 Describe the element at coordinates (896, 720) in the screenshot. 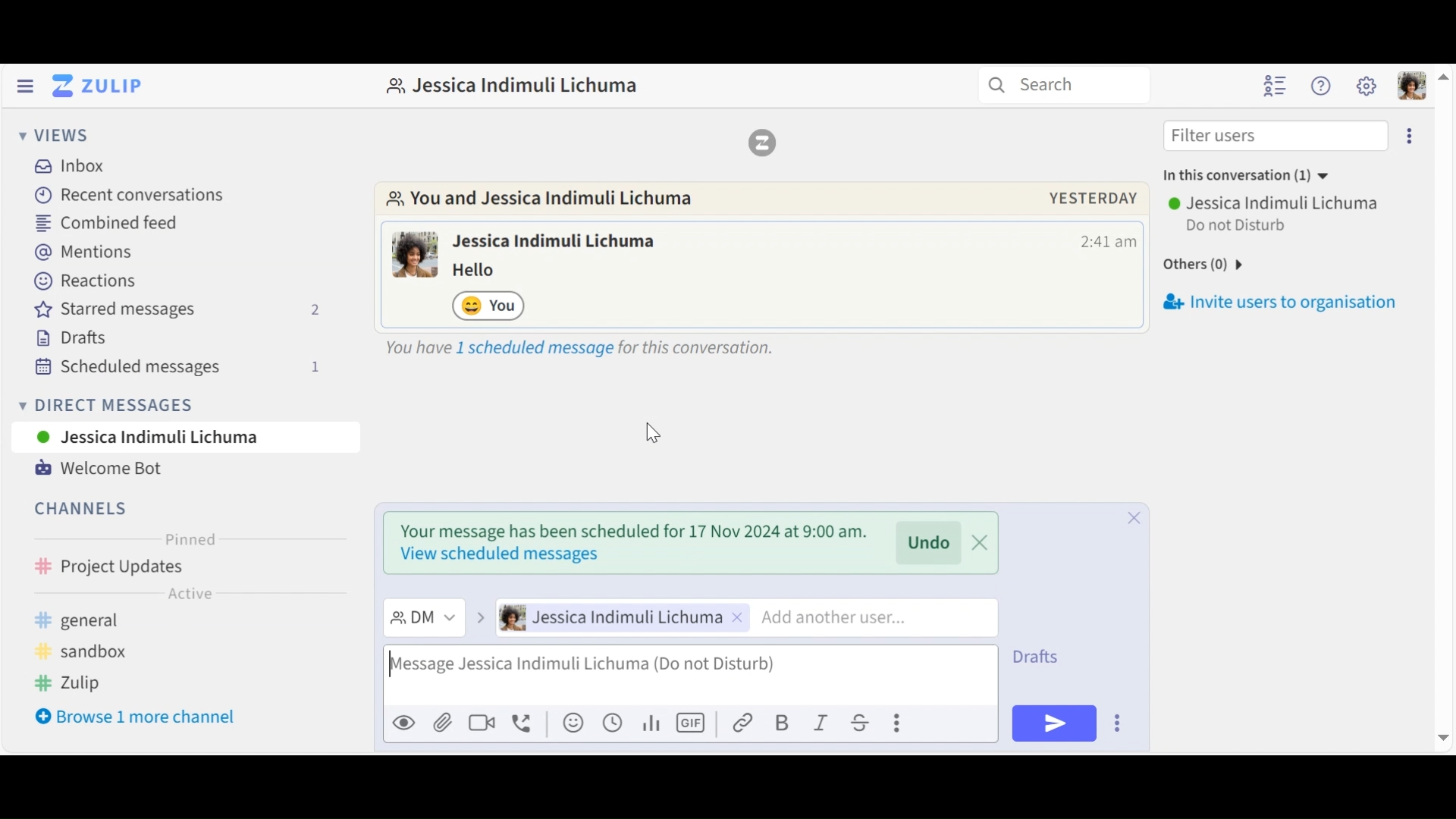

I see `Compose actions` at that location.